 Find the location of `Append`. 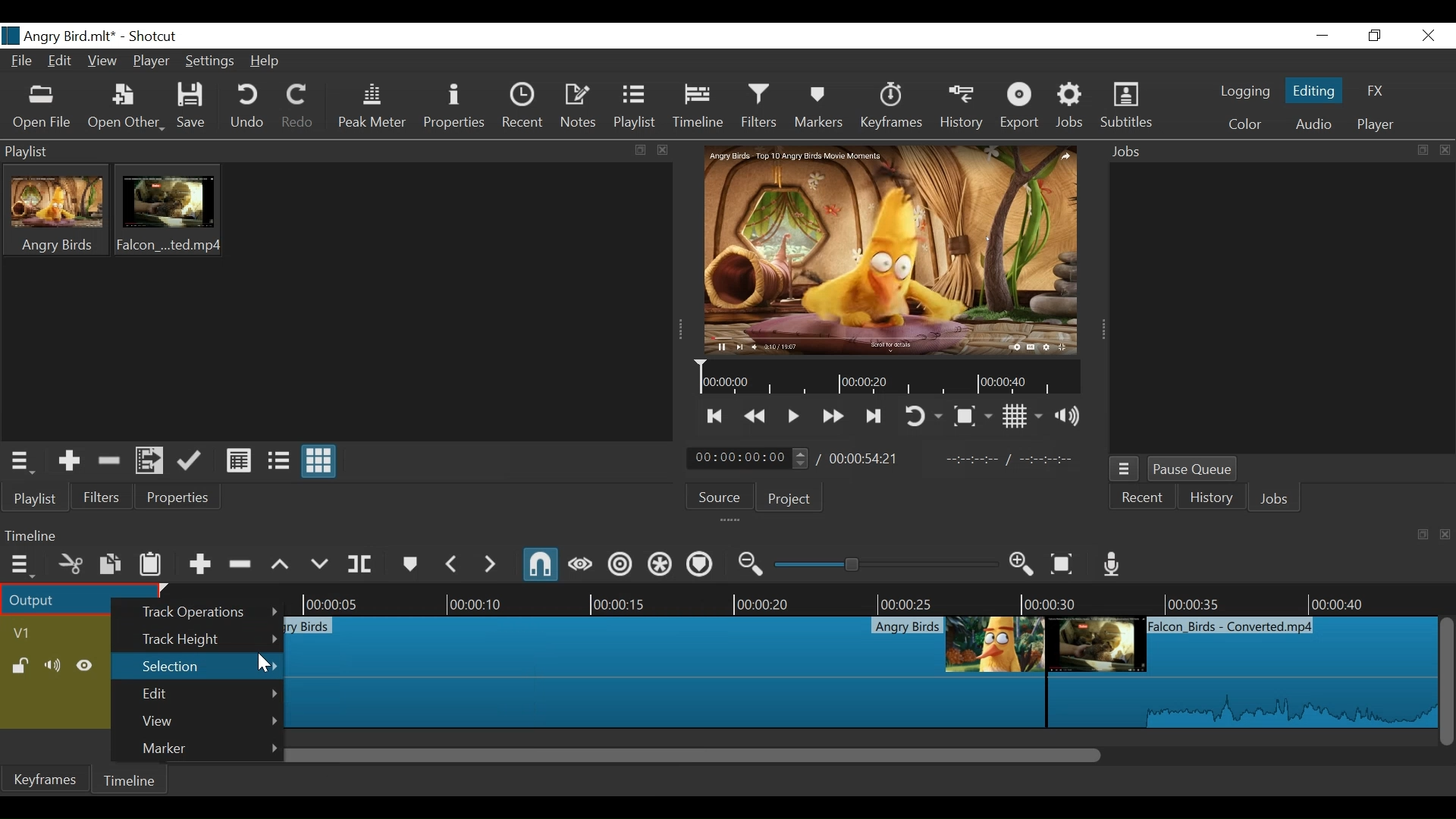

Append is located at coordinates (199, 565).